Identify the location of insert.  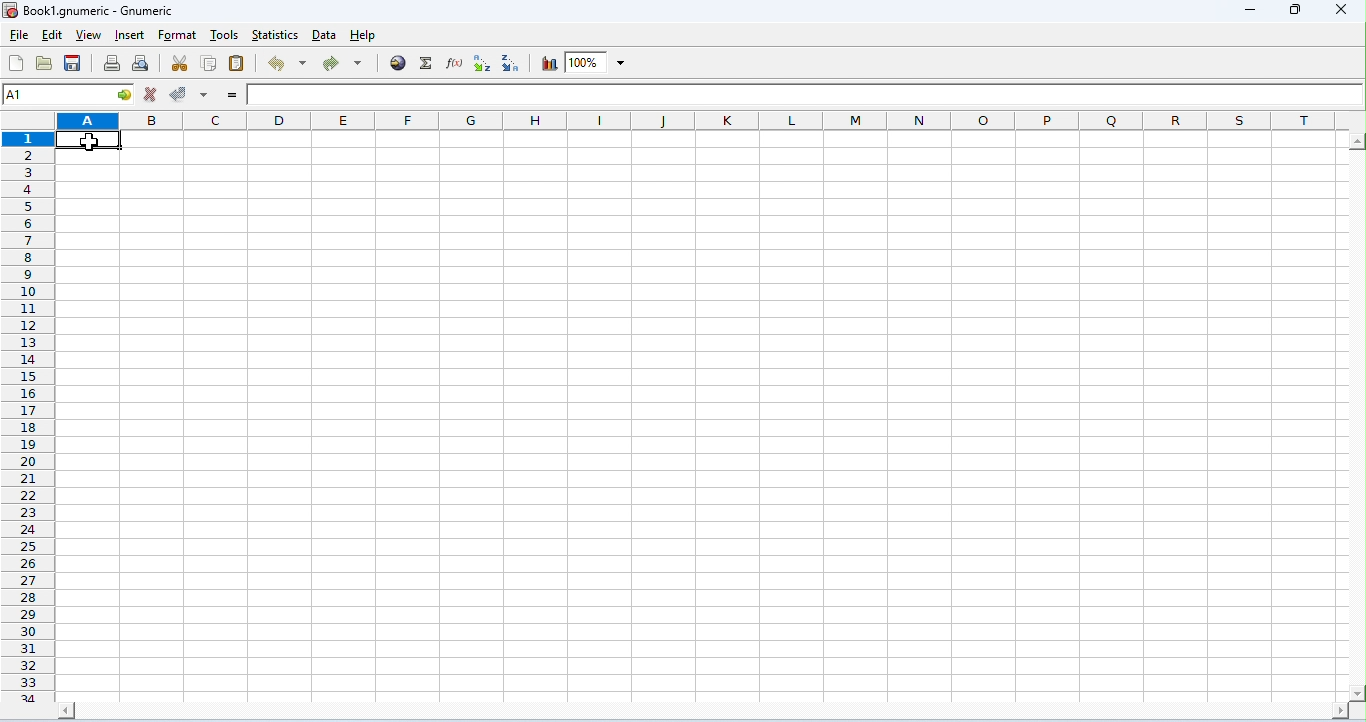
(130, 36).